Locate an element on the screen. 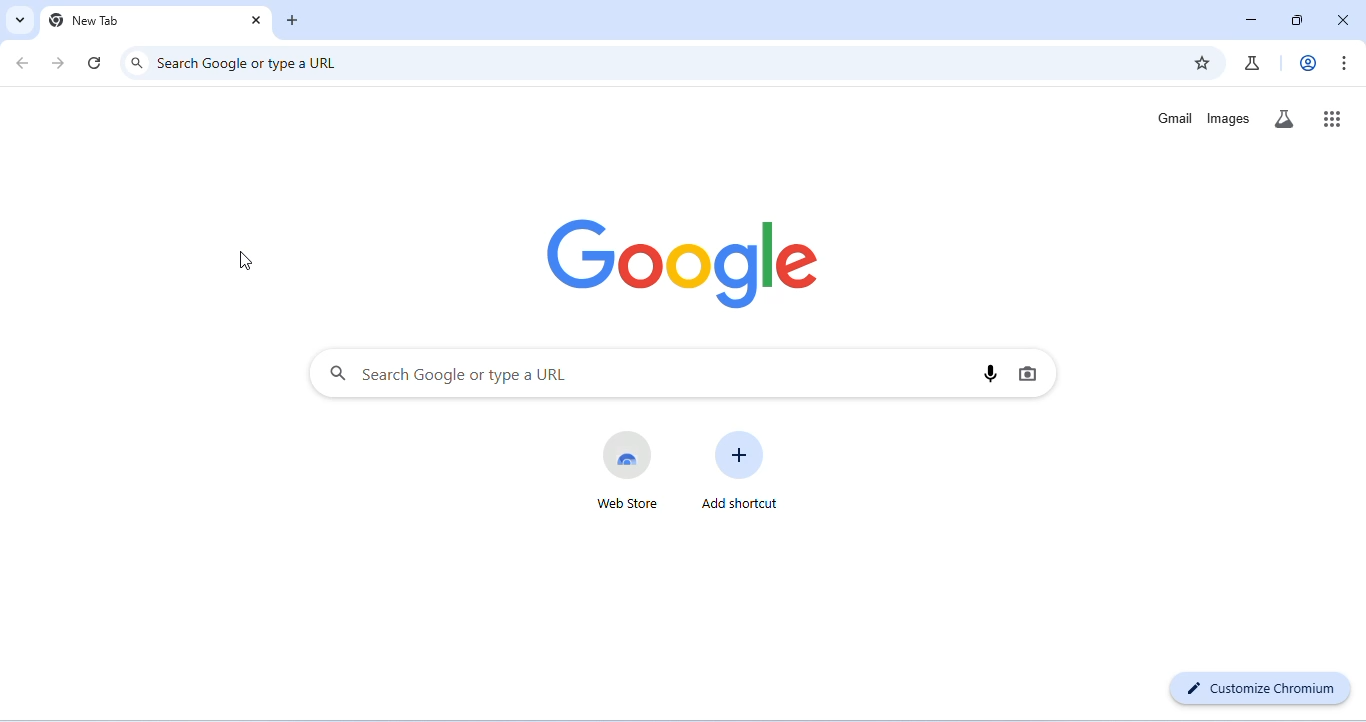 This screenshot has width=1366, height=722. customize and control chromium is located at coordinates (1344, 61).